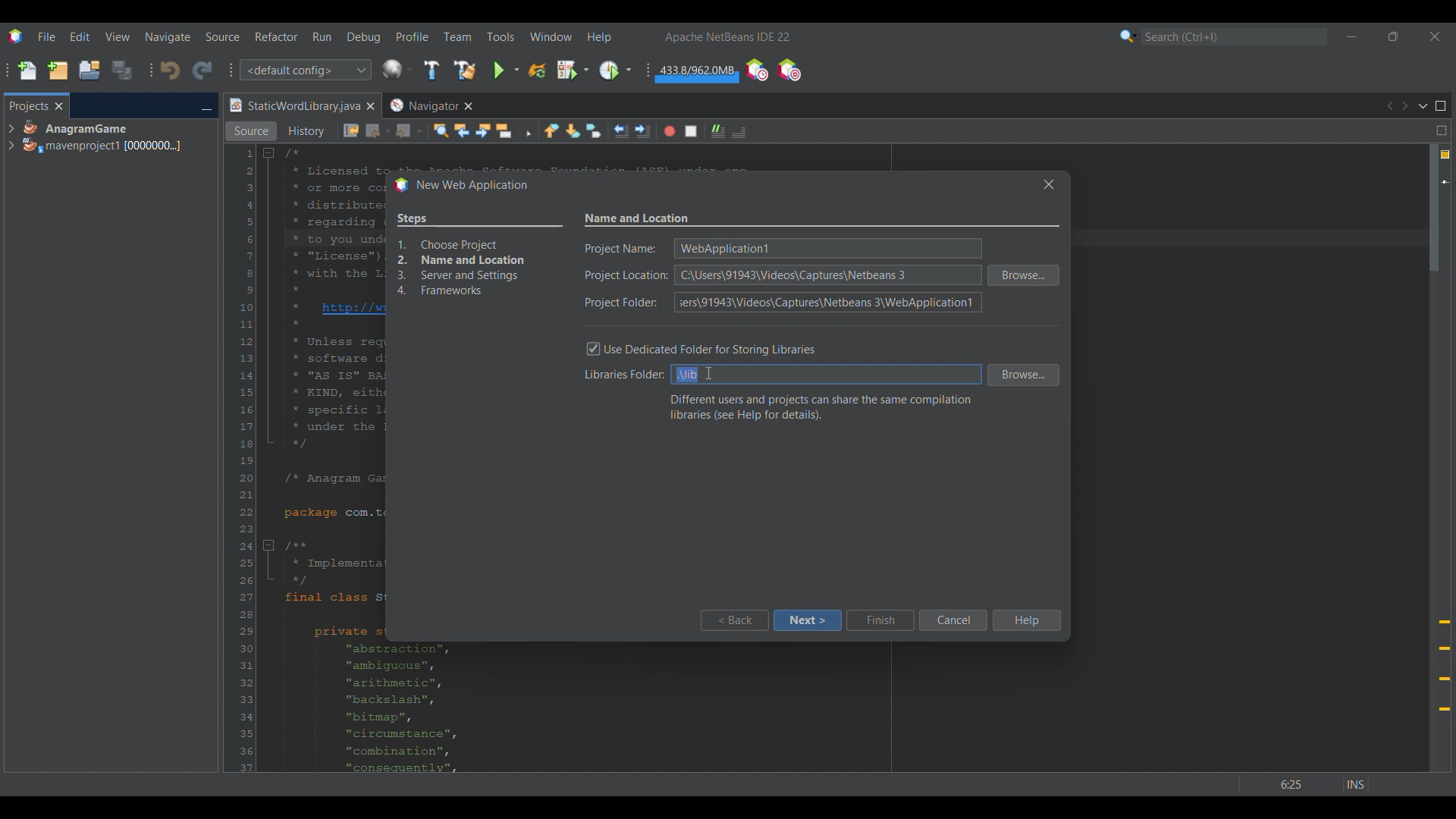 The height and width of the screenshot is (819, 1456). I want to click on Clean and build main project, so click(464, 70).